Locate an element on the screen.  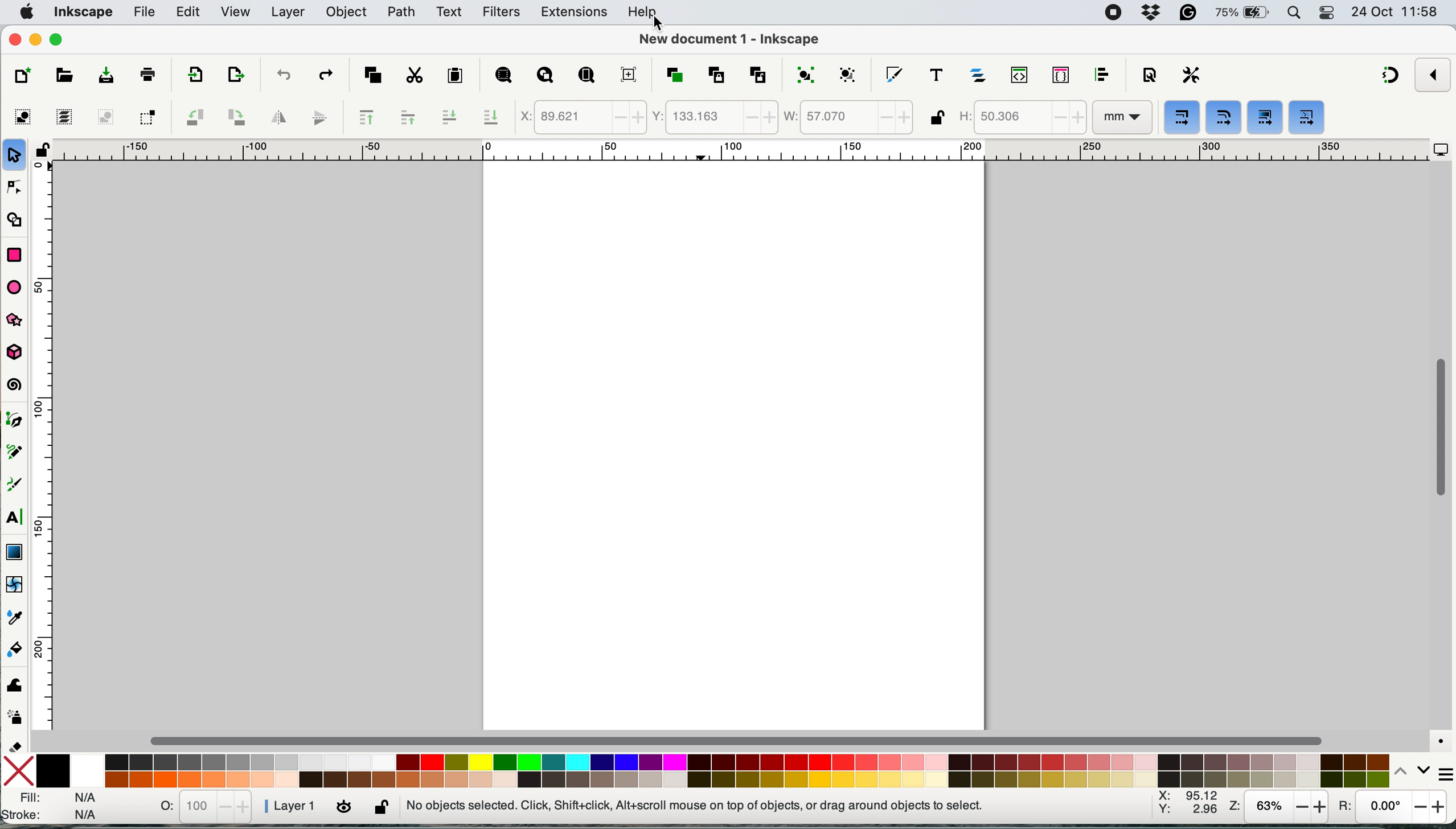
move patterns is located at coordinates (1307, 116).